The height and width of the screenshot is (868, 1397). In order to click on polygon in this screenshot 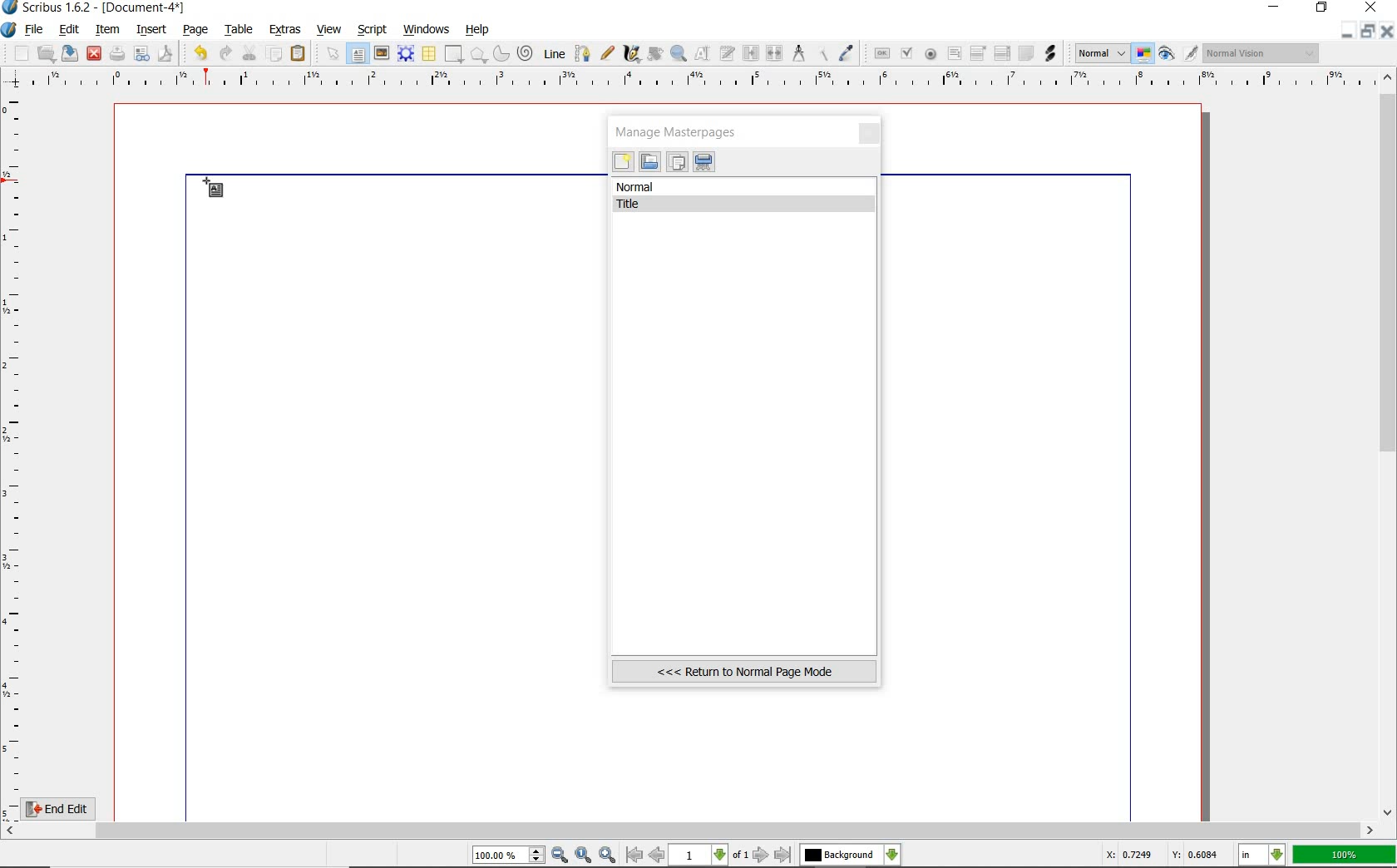, I will do `click(478, 56)`.